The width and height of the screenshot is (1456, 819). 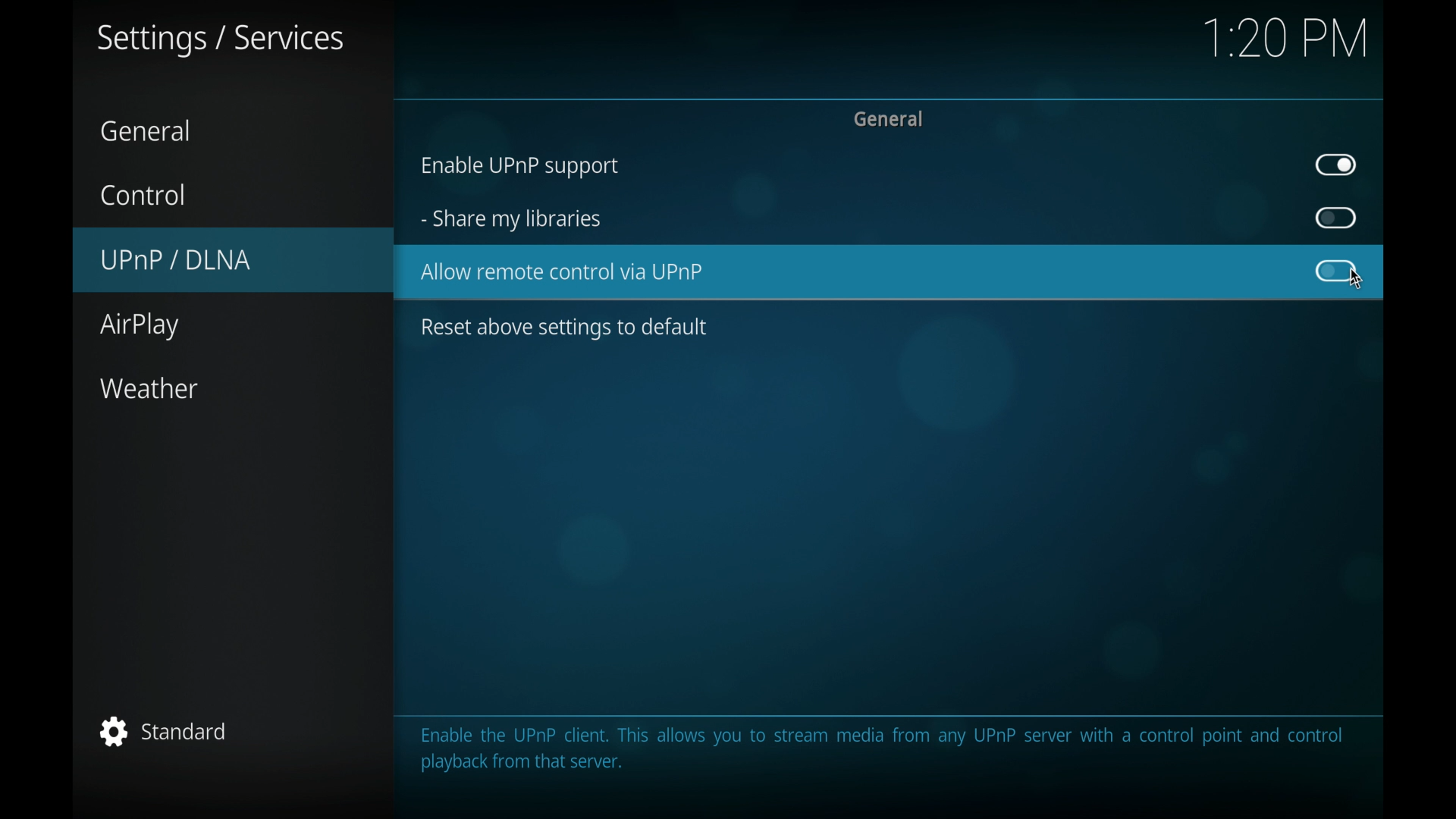 I want to click on toggle button, so click(x=1336, y=270).